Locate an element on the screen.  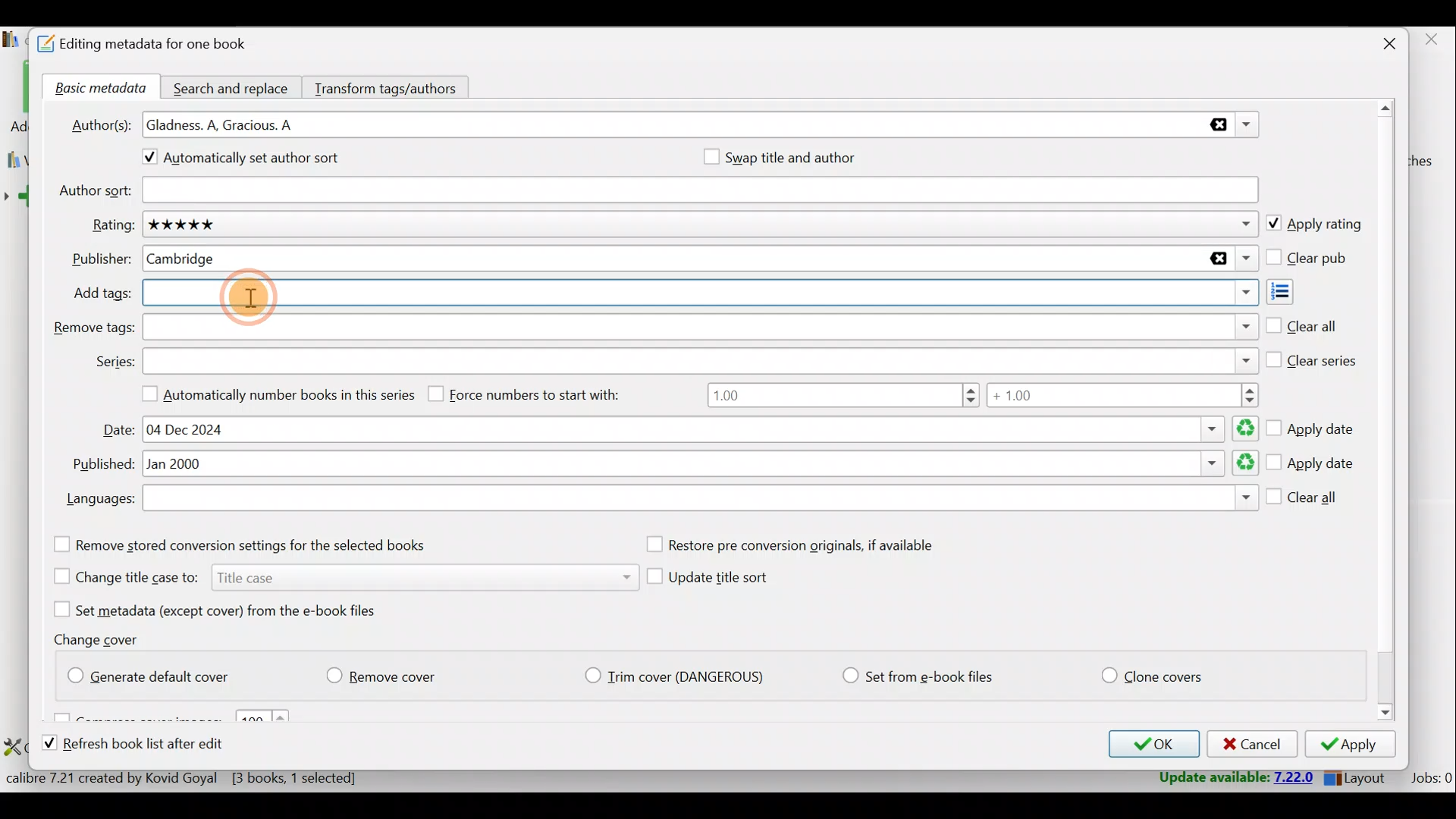
Authors is located at coordinates (702, 126).